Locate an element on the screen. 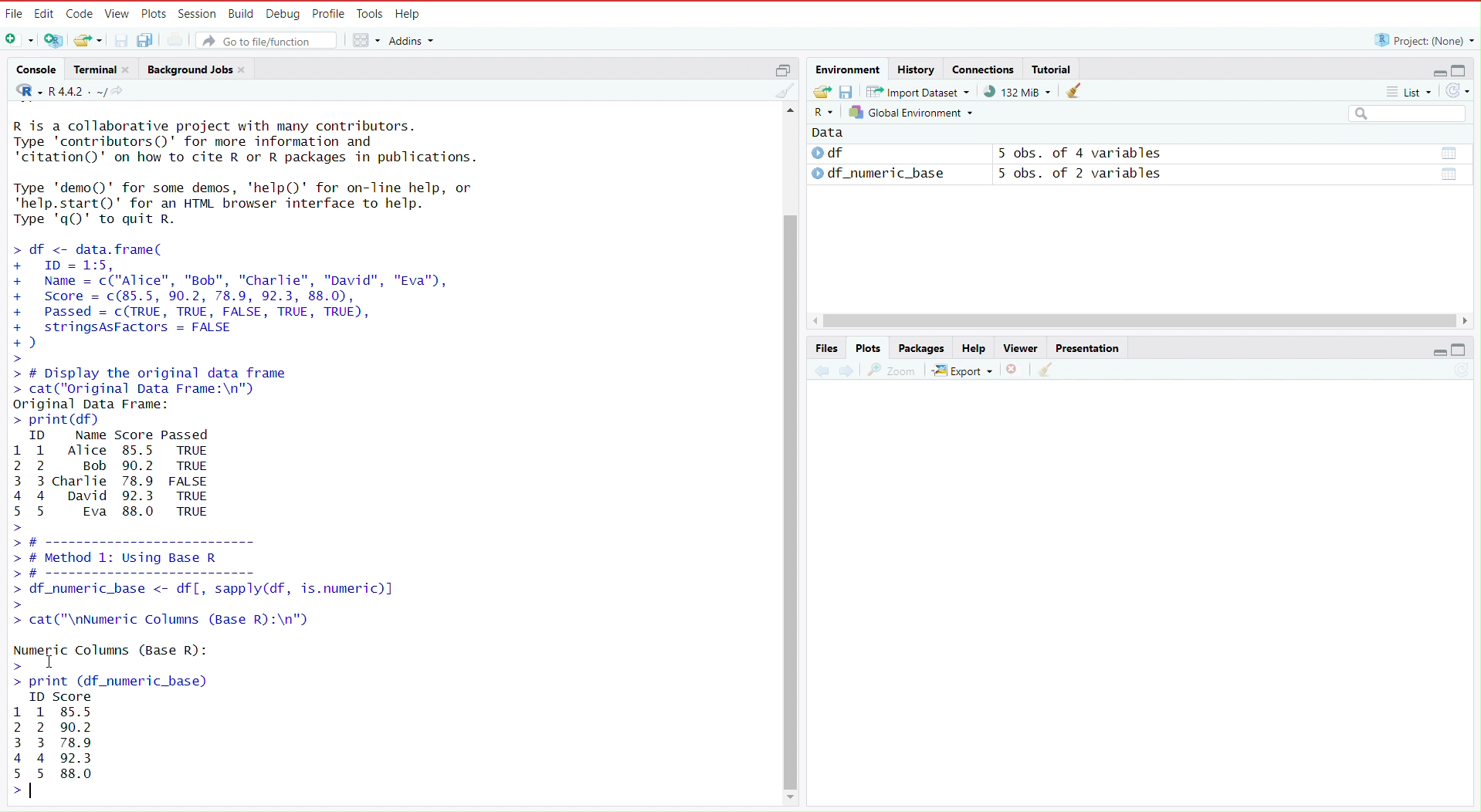  df is located at coordinates (843, 153).